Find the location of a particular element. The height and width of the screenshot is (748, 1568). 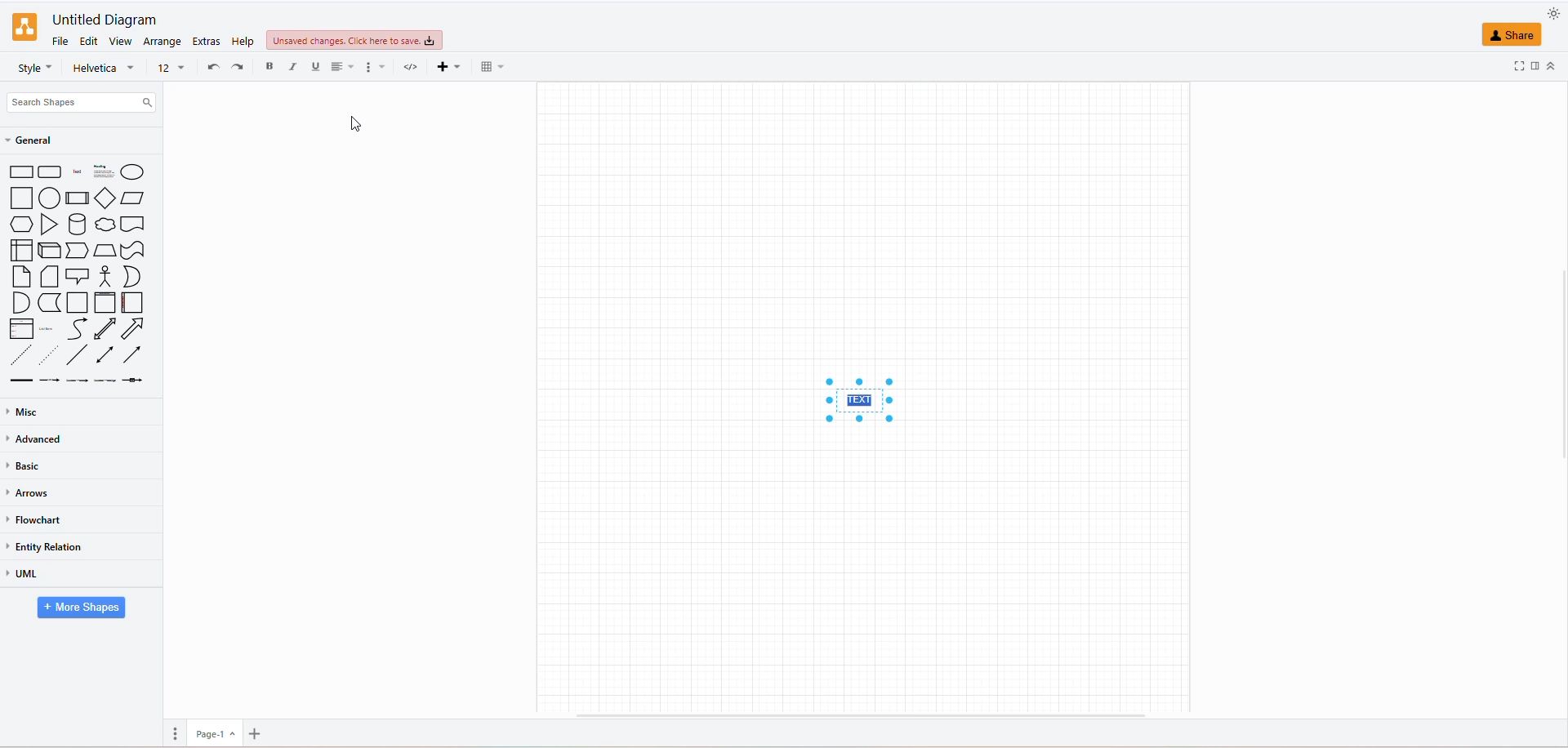

file is located at coordinates (59, 40).